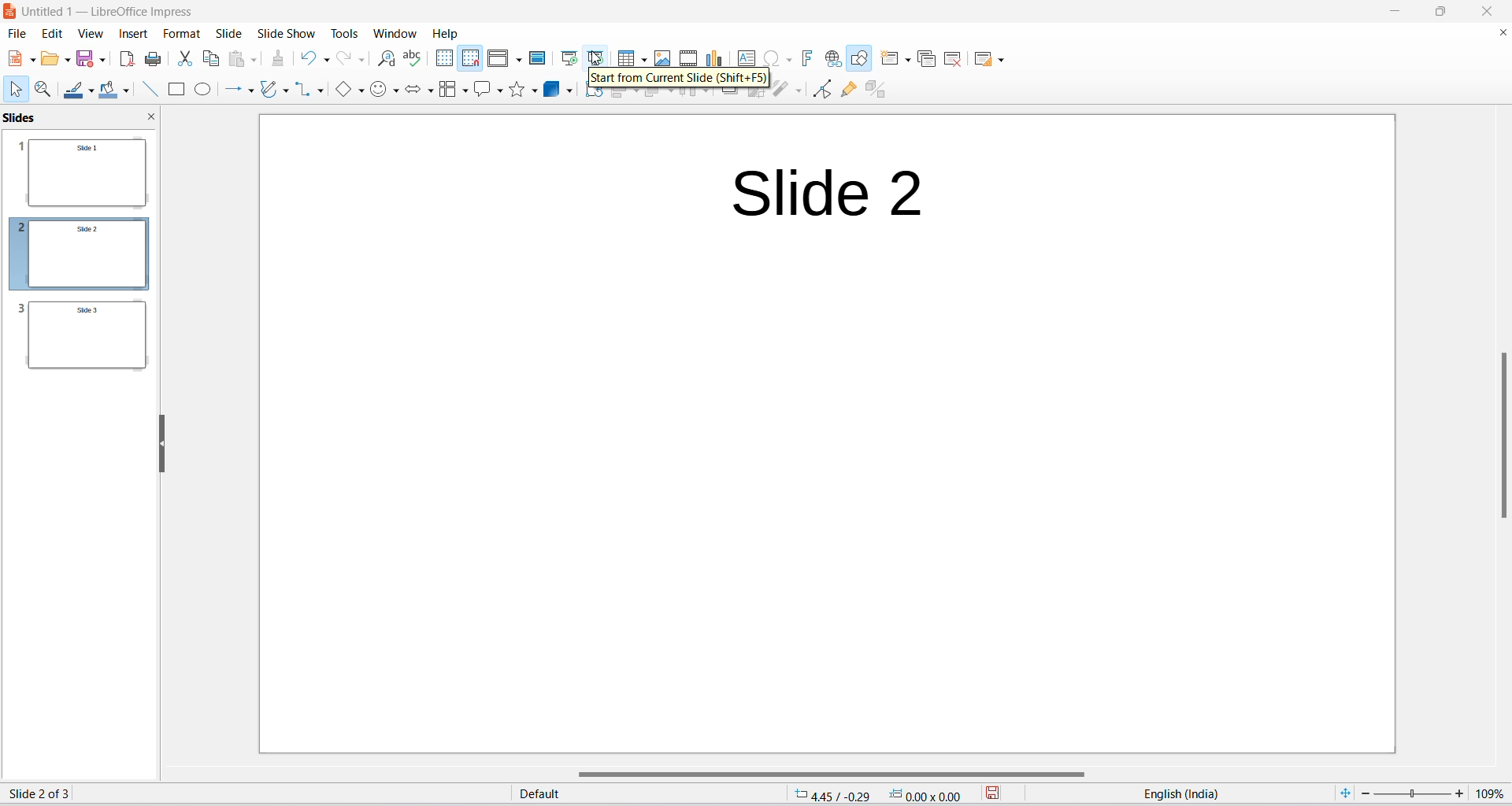  I want to click on start from first slide, so click(569, 57).